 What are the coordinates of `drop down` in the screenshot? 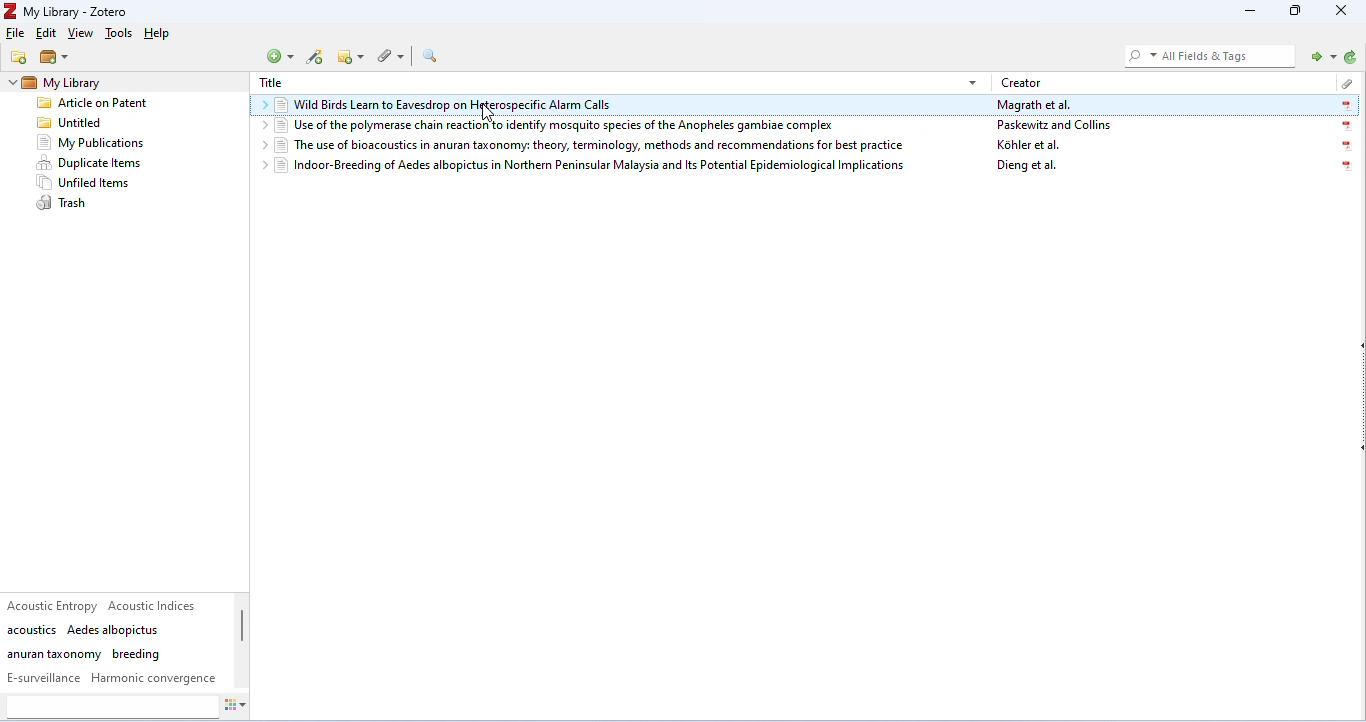 It's located at (260, 166).